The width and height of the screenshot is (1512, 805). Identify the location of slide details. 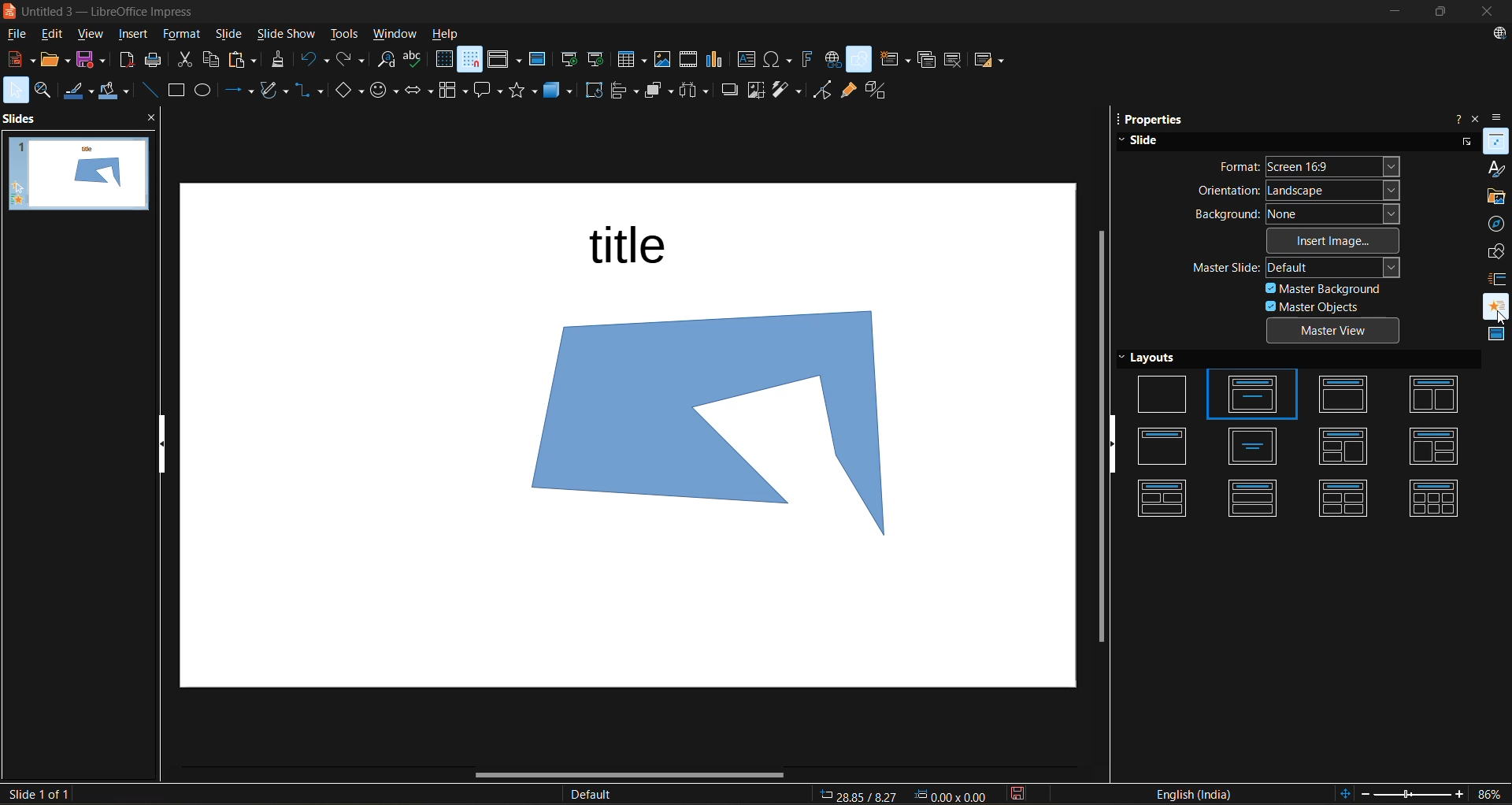
(37, 795).